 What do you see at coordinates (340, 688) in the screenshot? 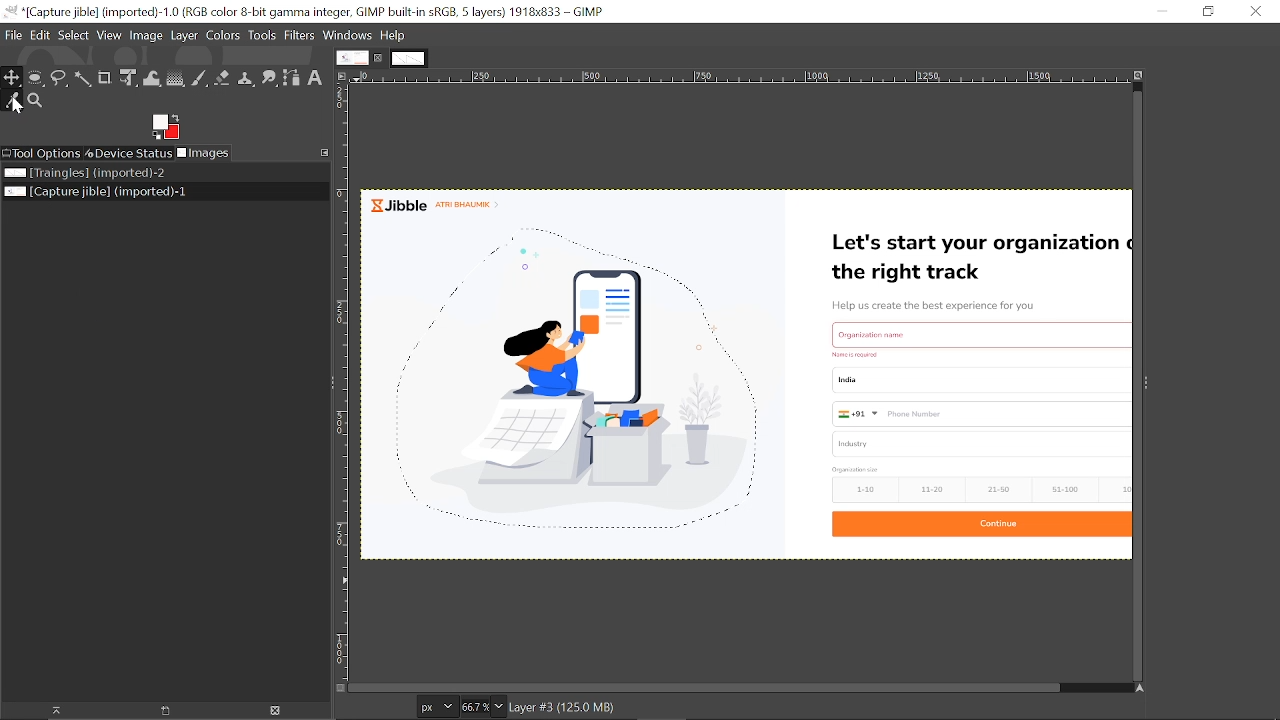
I see `Toggle quick mask on/off` at bounding box center [340, 688].